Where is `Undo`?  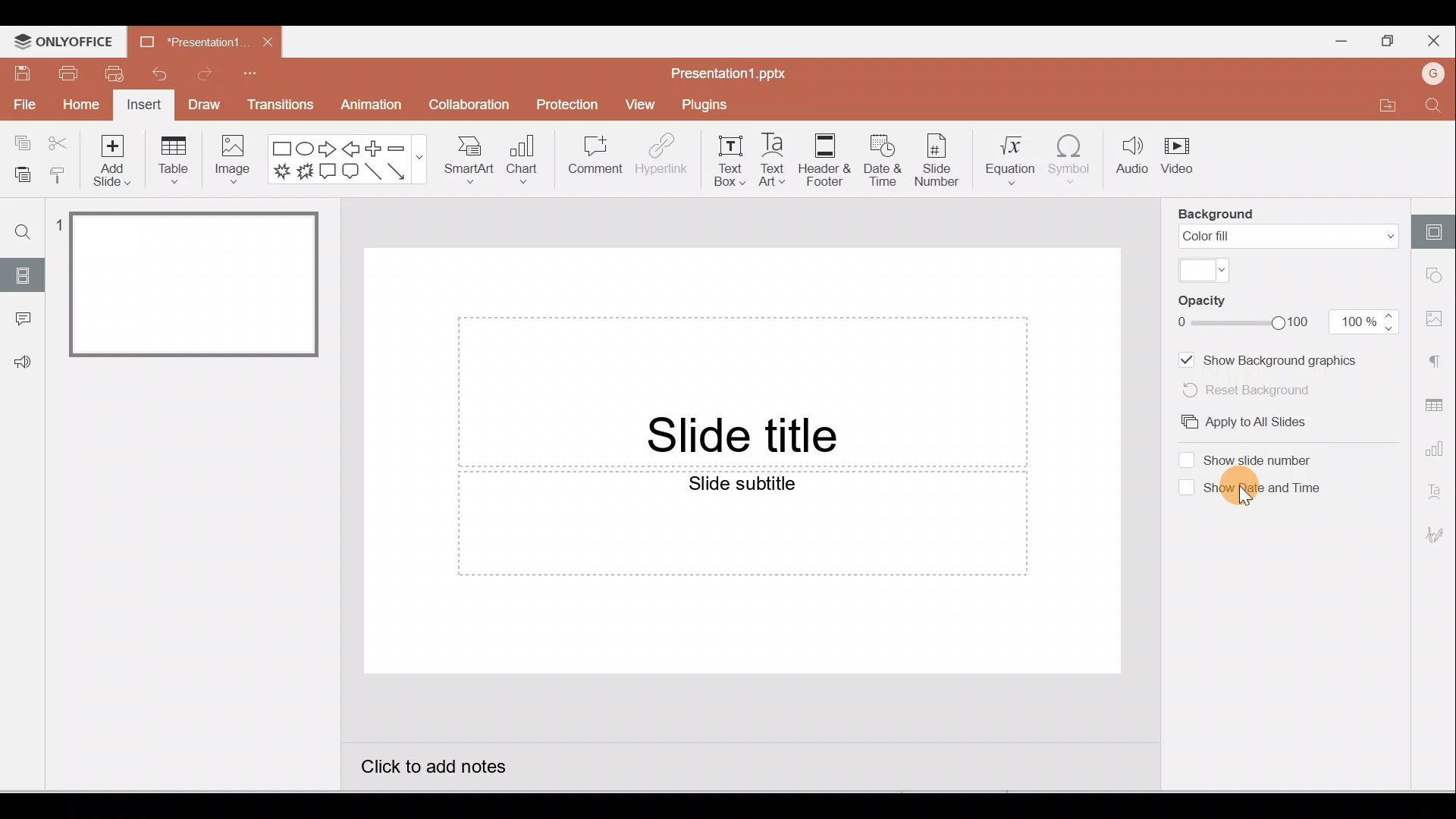 Undo is located at coordinates (158, 72).